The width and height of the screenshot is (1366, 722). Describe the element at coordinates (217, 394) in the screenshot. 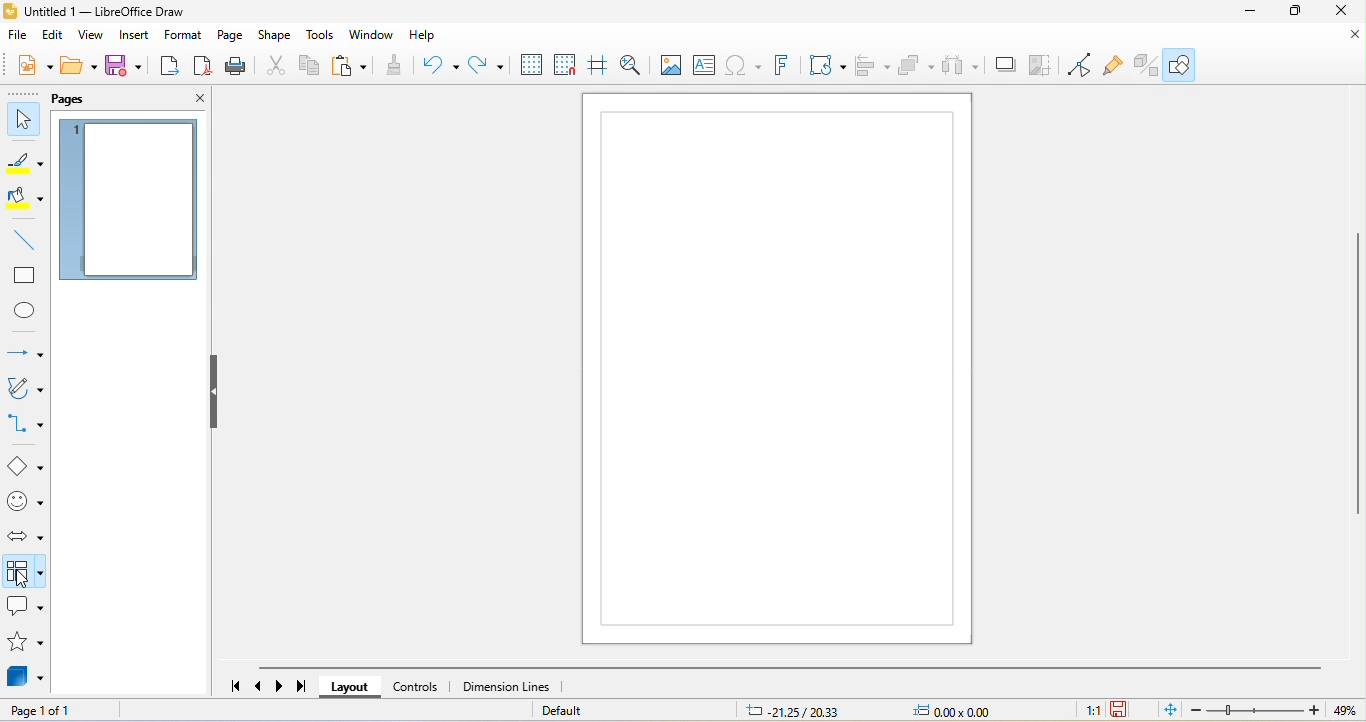

I see `hide` at that location.